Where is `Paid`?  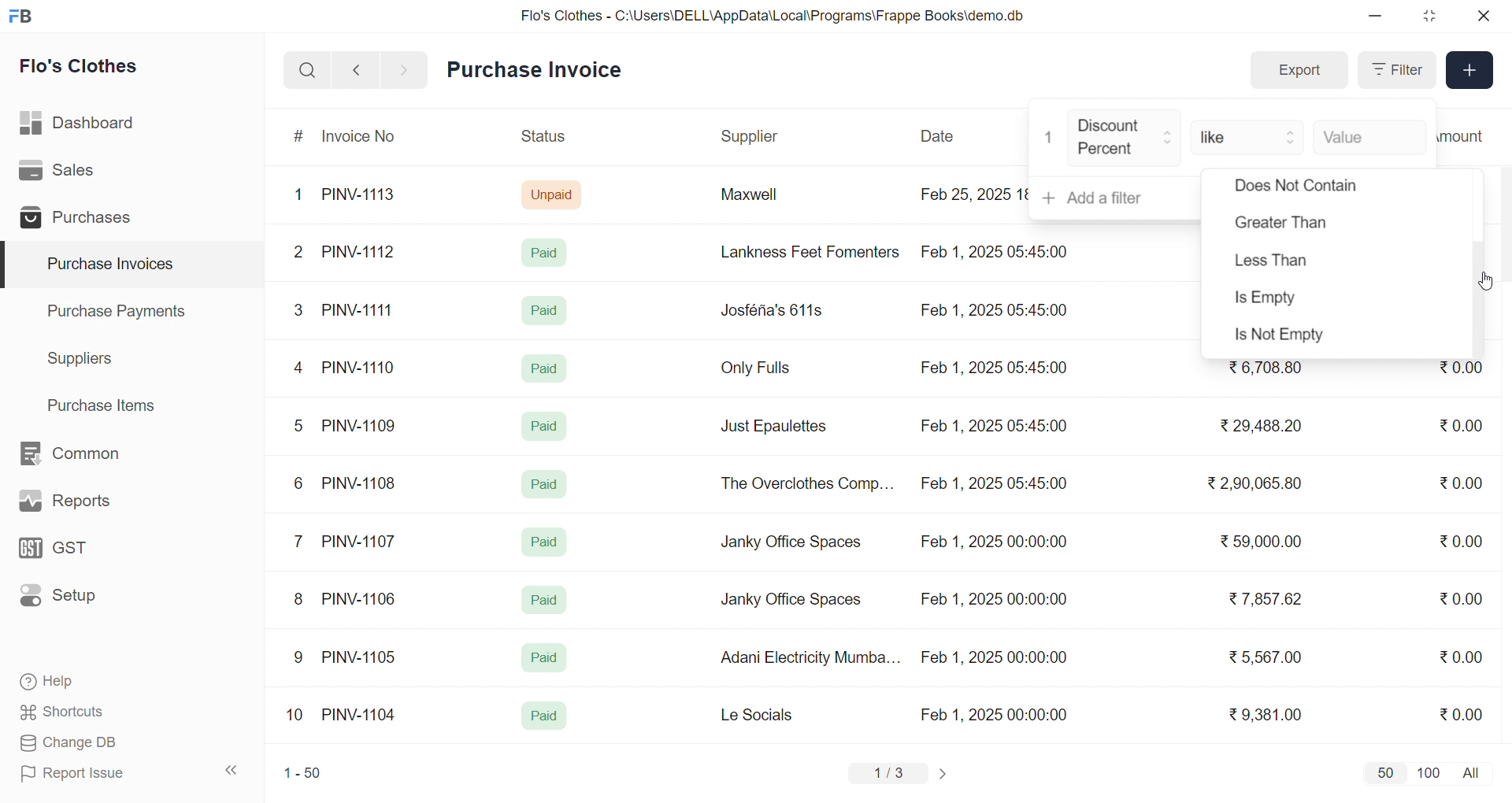
Paid is located at coordinates (545, 600).